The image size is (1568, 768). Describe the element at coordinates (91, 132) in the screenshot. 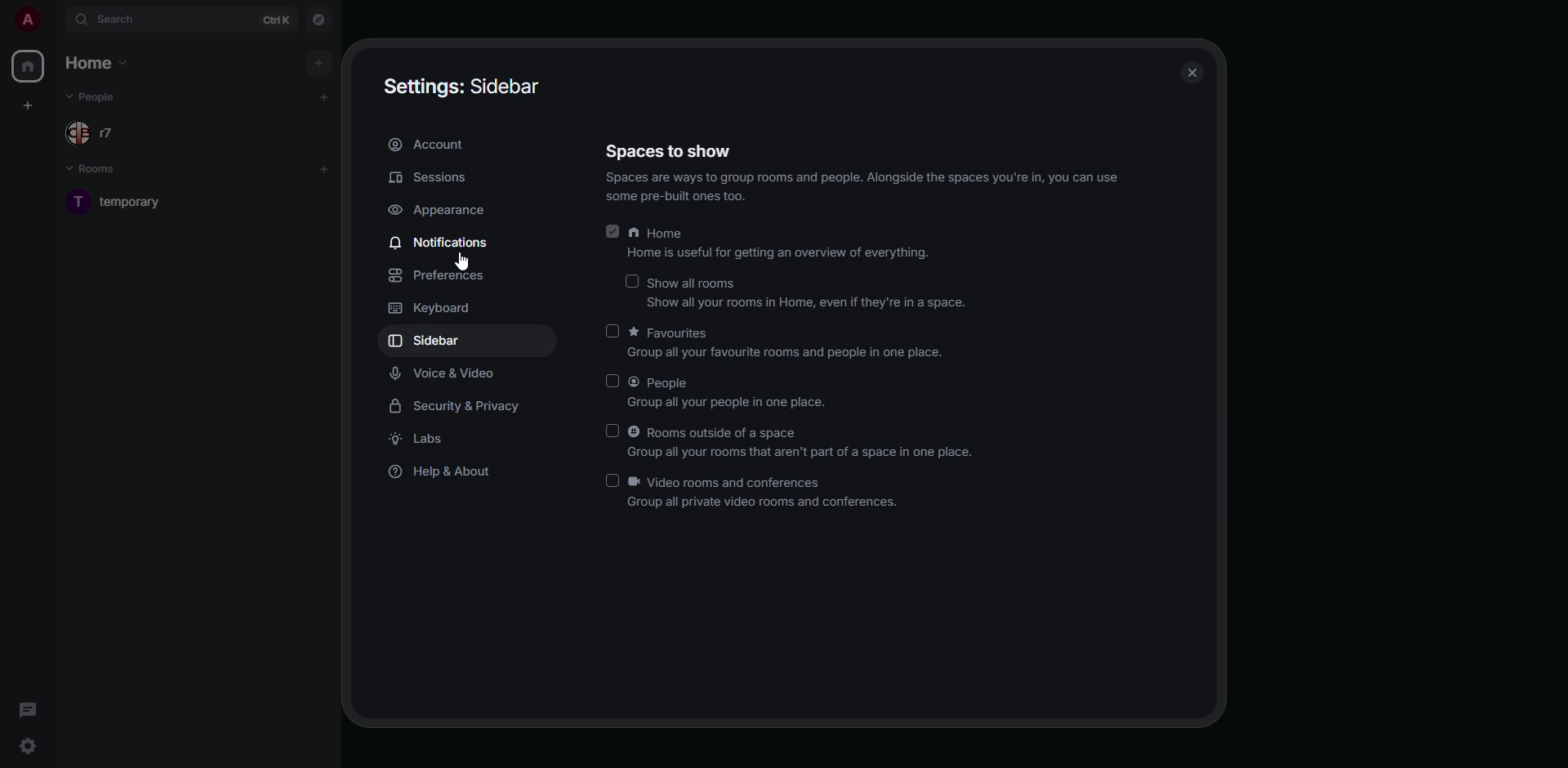

I see `people` at that location.